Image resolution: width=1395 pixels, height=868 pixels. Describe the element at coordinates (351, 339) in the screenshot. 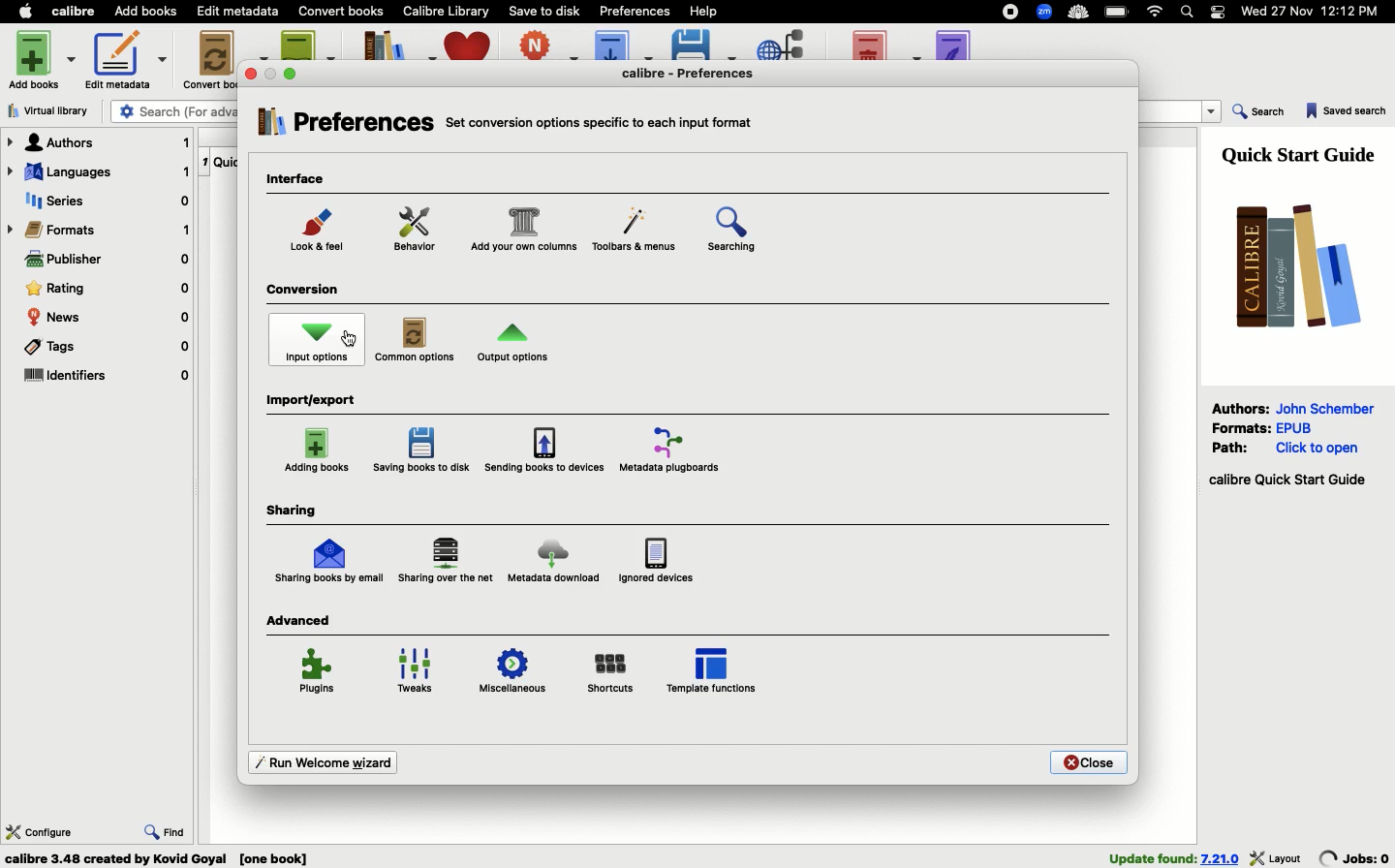

I see `cursor` at that location.